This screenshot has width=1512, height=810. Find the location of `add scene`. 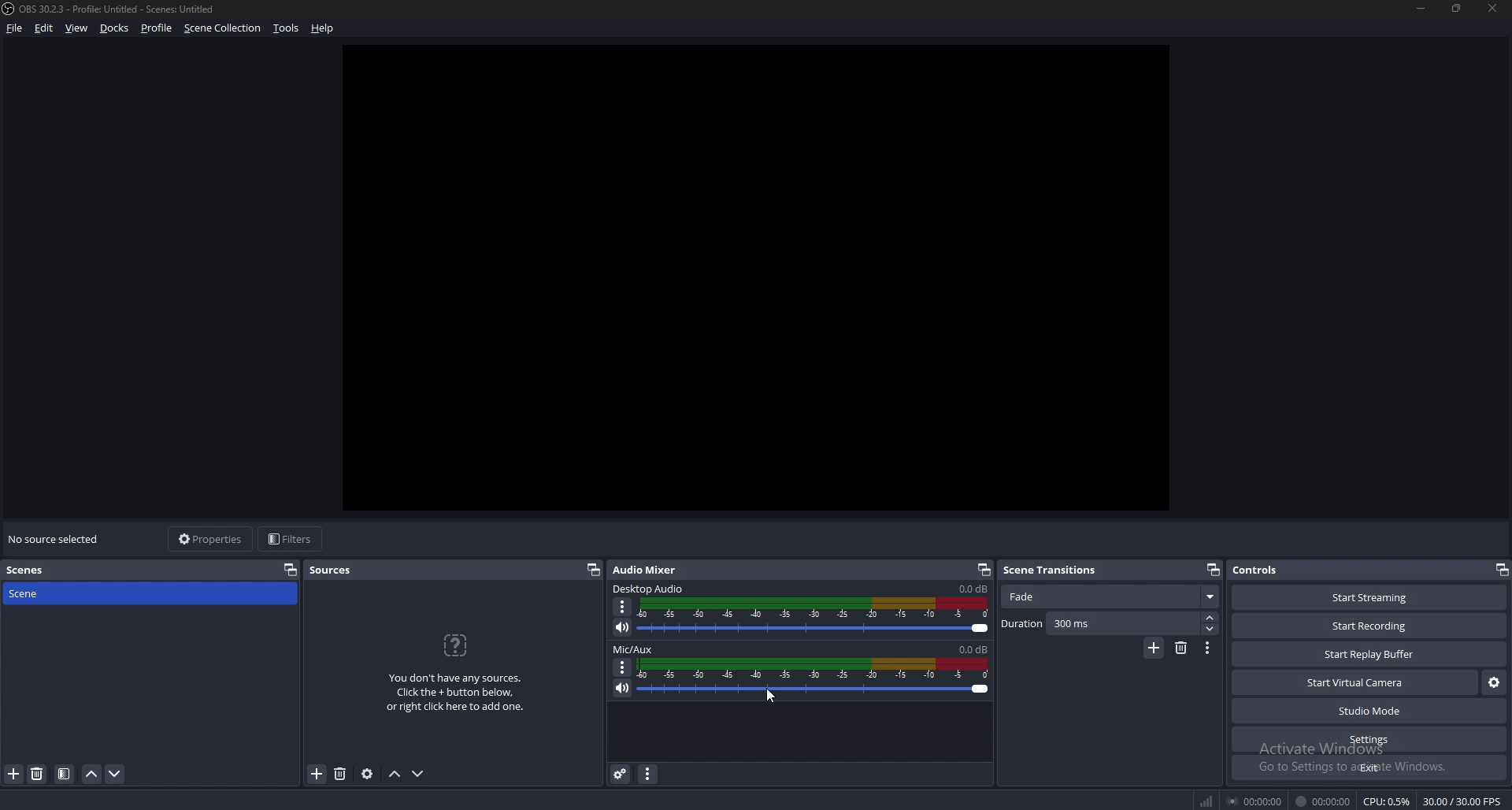

add scene is located at coordinates (1154, 648).